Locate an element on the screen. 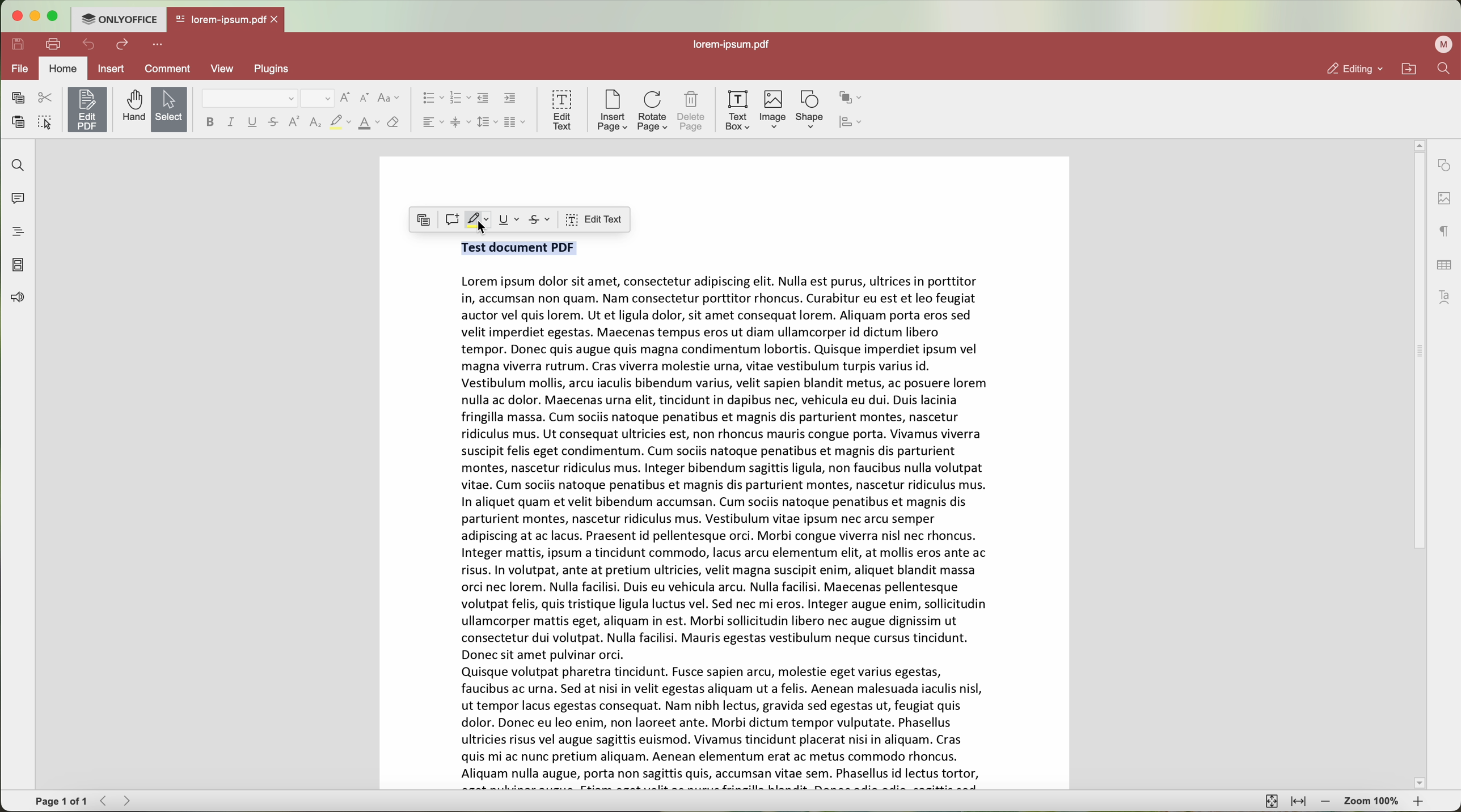 This screenshot has height=812, width=1461. paste is located at coordinates (19, 124).